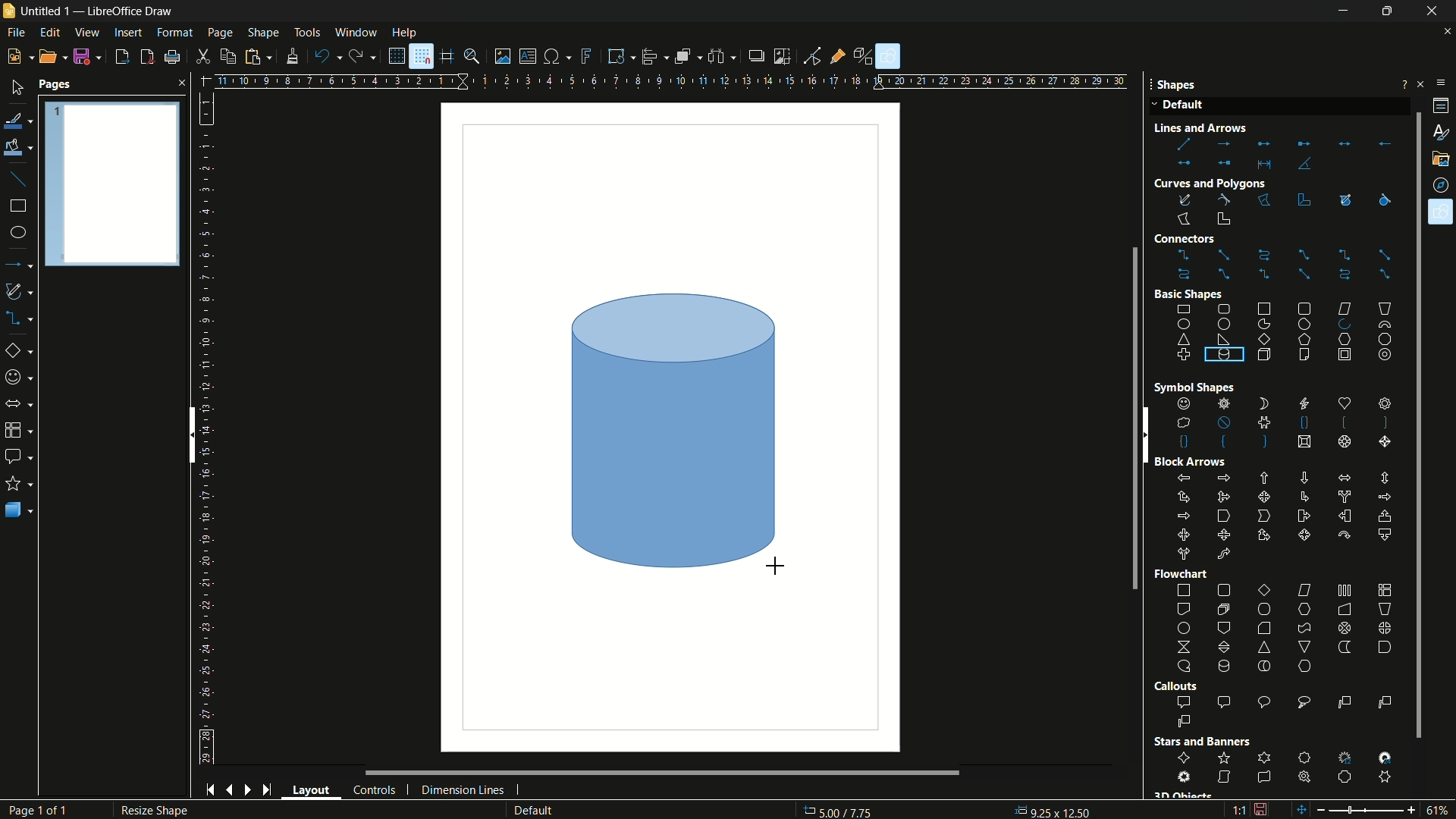 This screenshot has width=1456, height=819. I want to click on curves and polygons, so click(1208, 208).